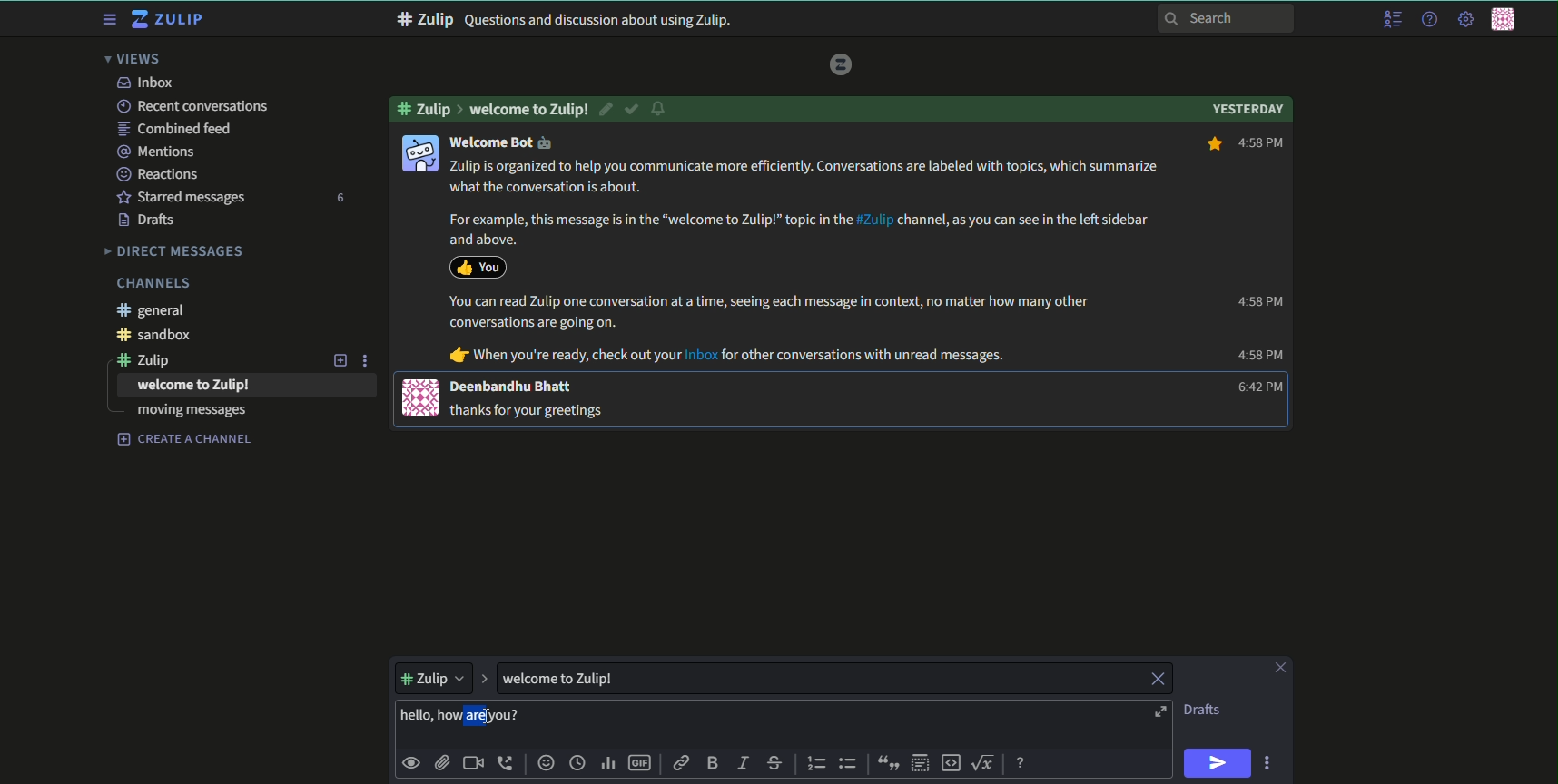  I want to click on #sandbox, so click(161, 336).